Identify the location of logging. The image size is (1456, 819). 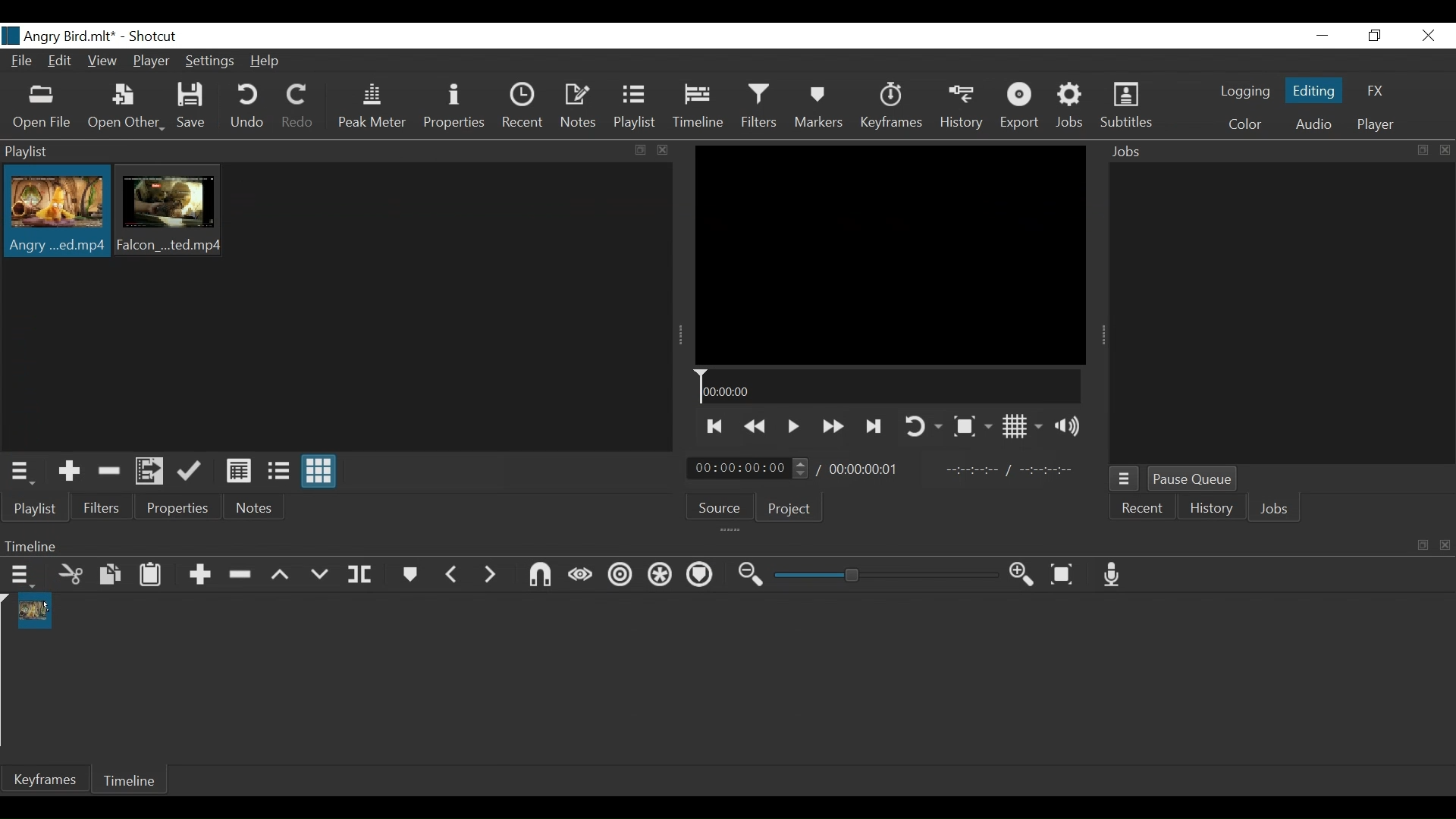
(1245, 93).